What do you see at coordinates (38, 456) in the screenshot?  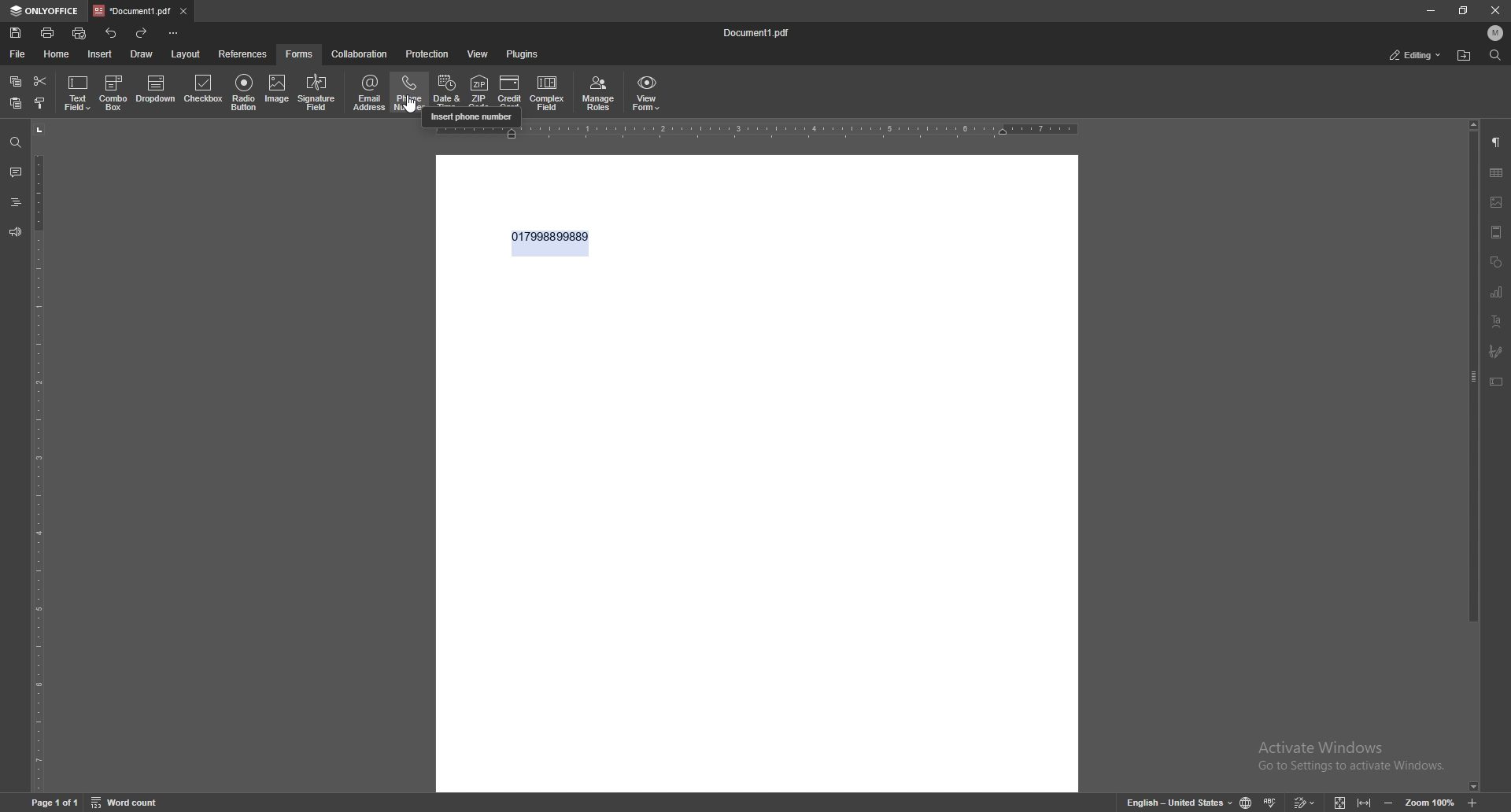 I see `vertical field` at bounding box center [38, 456].